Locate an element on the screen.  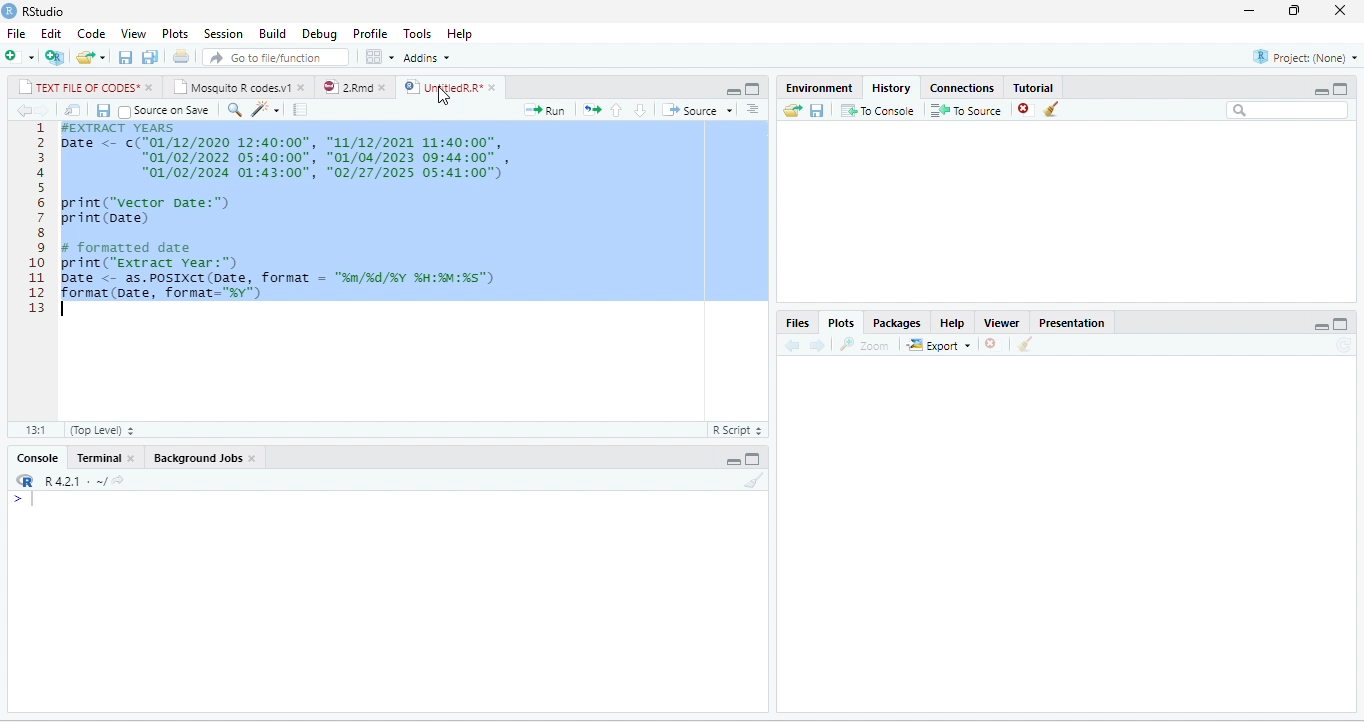
Export is located at coordinates (940, 344).